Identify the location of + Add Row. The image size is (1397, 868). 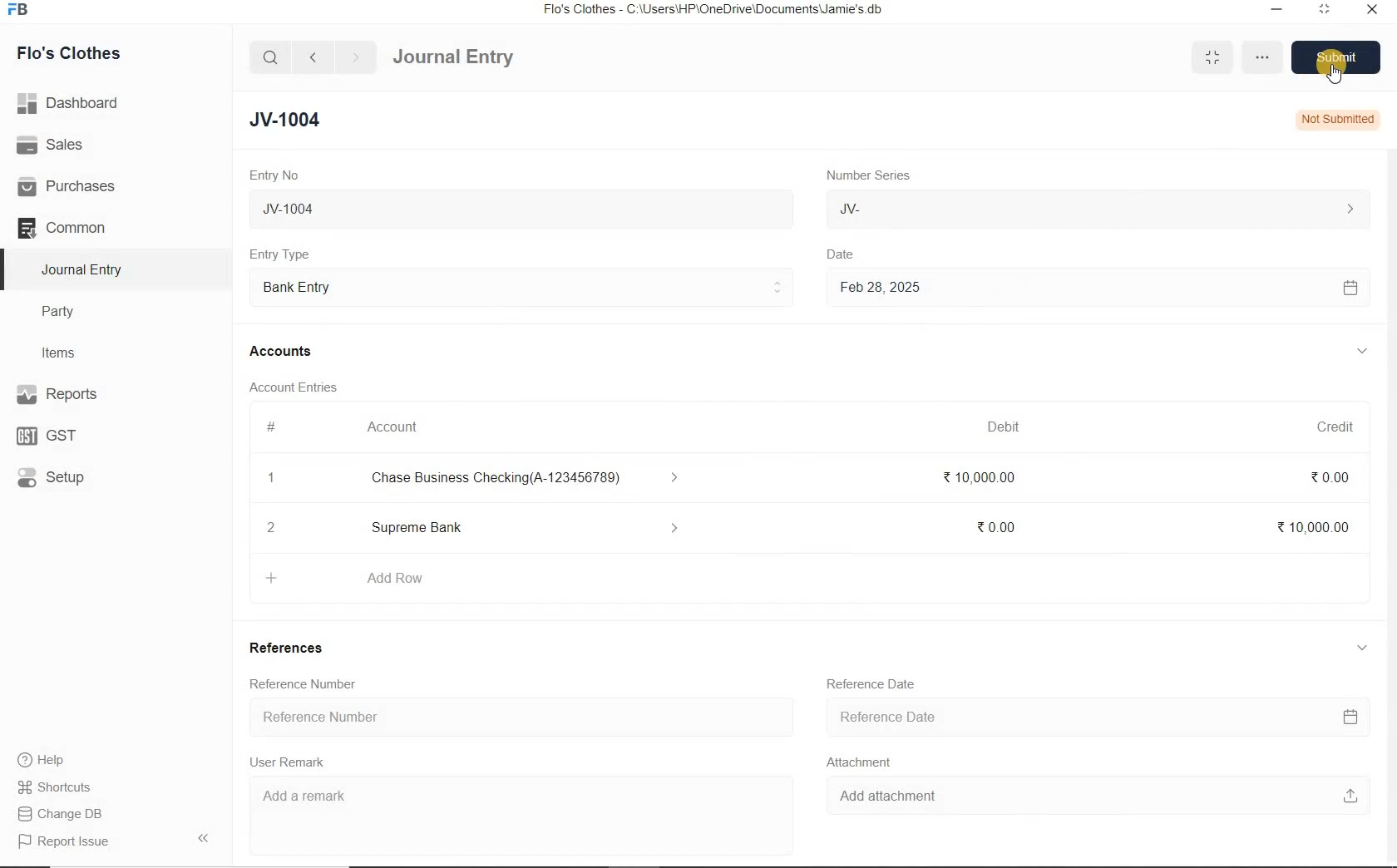
(358, 579).